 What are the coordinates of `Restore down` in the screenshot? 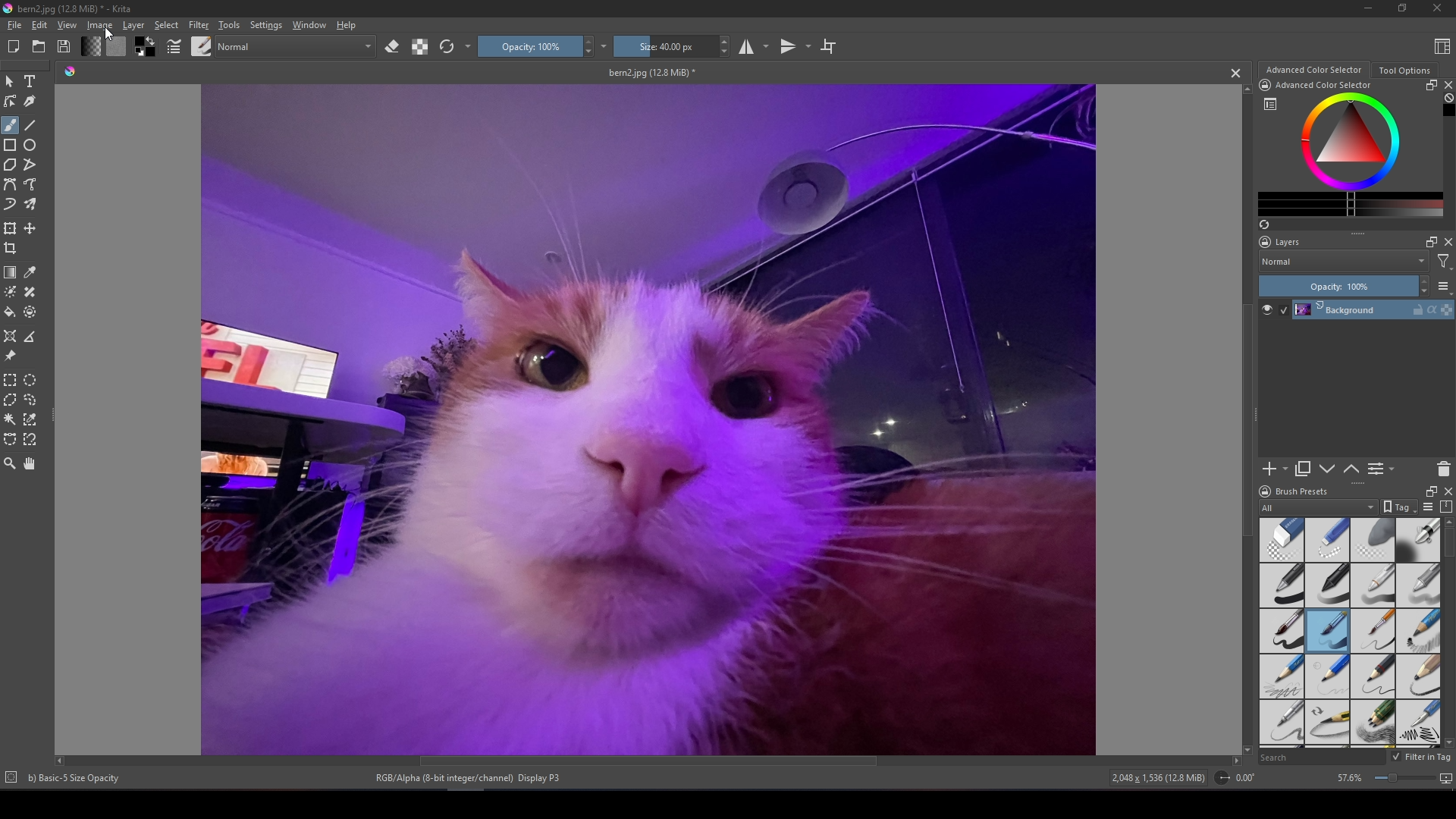 It's located at (1402, 9).